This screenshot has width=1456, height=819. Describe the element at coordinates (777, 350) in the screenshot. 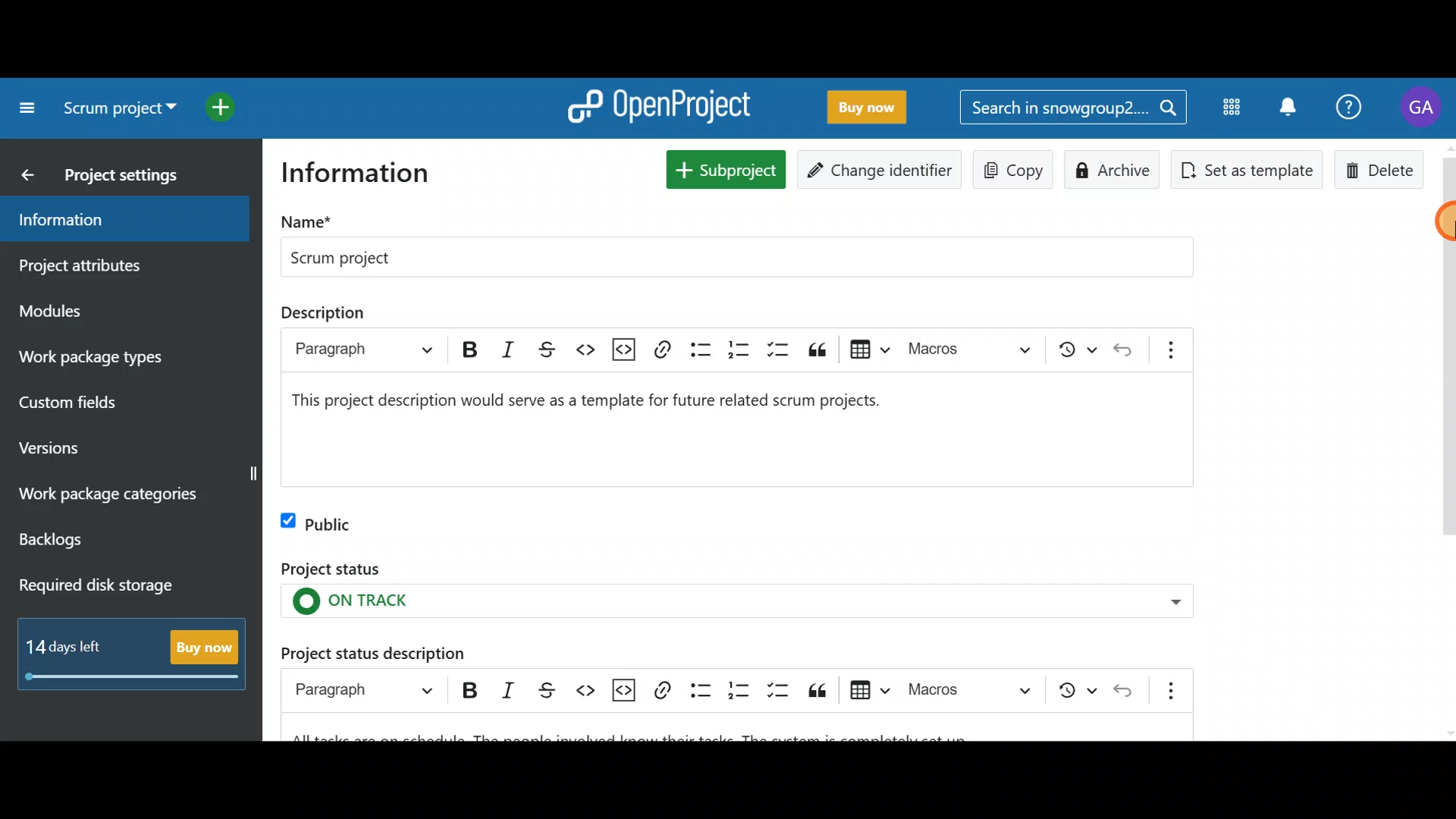

I see `to-do list` at that location.